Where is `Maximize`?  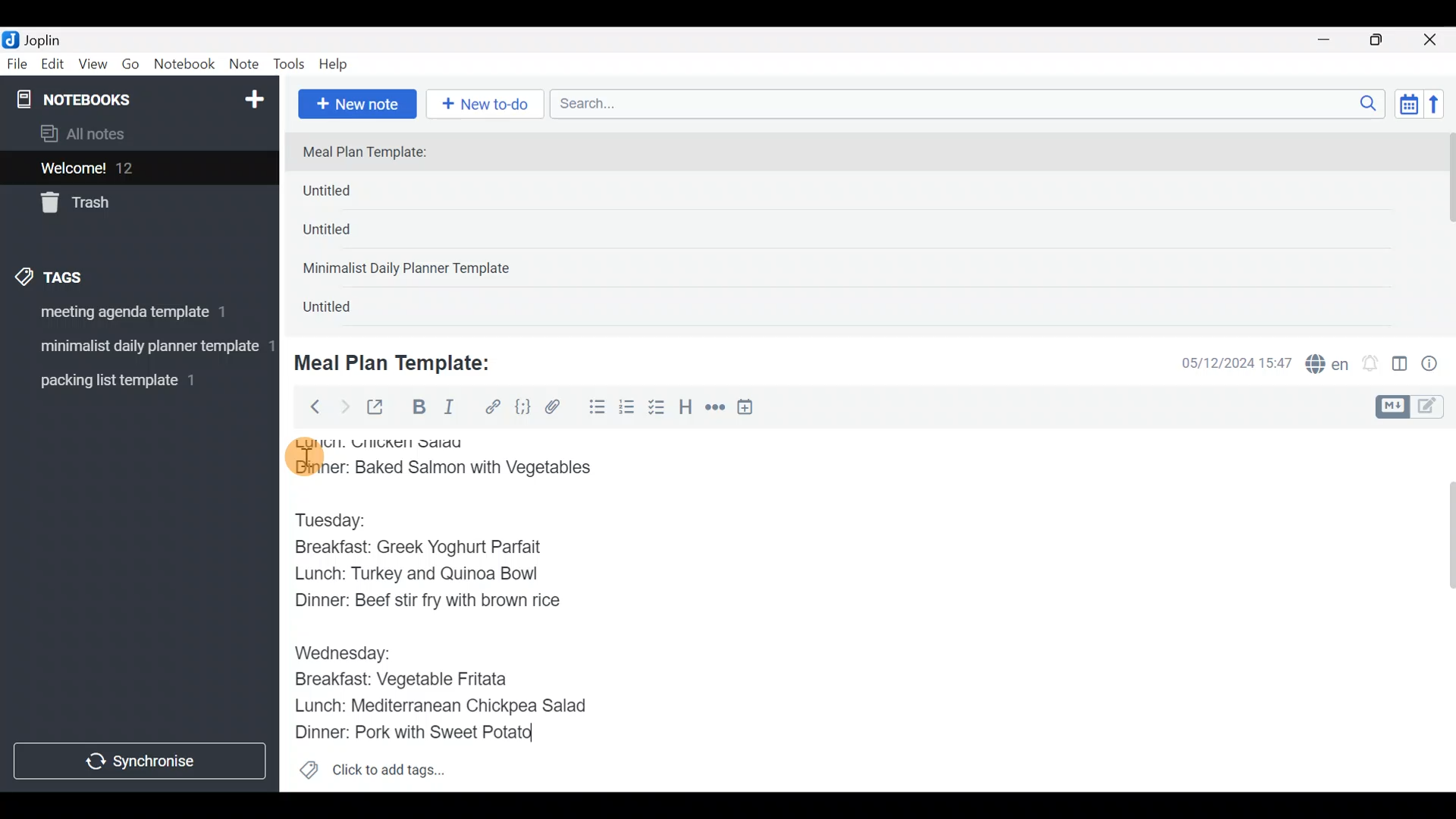 Maximize is located at coordinates (1385, 40).